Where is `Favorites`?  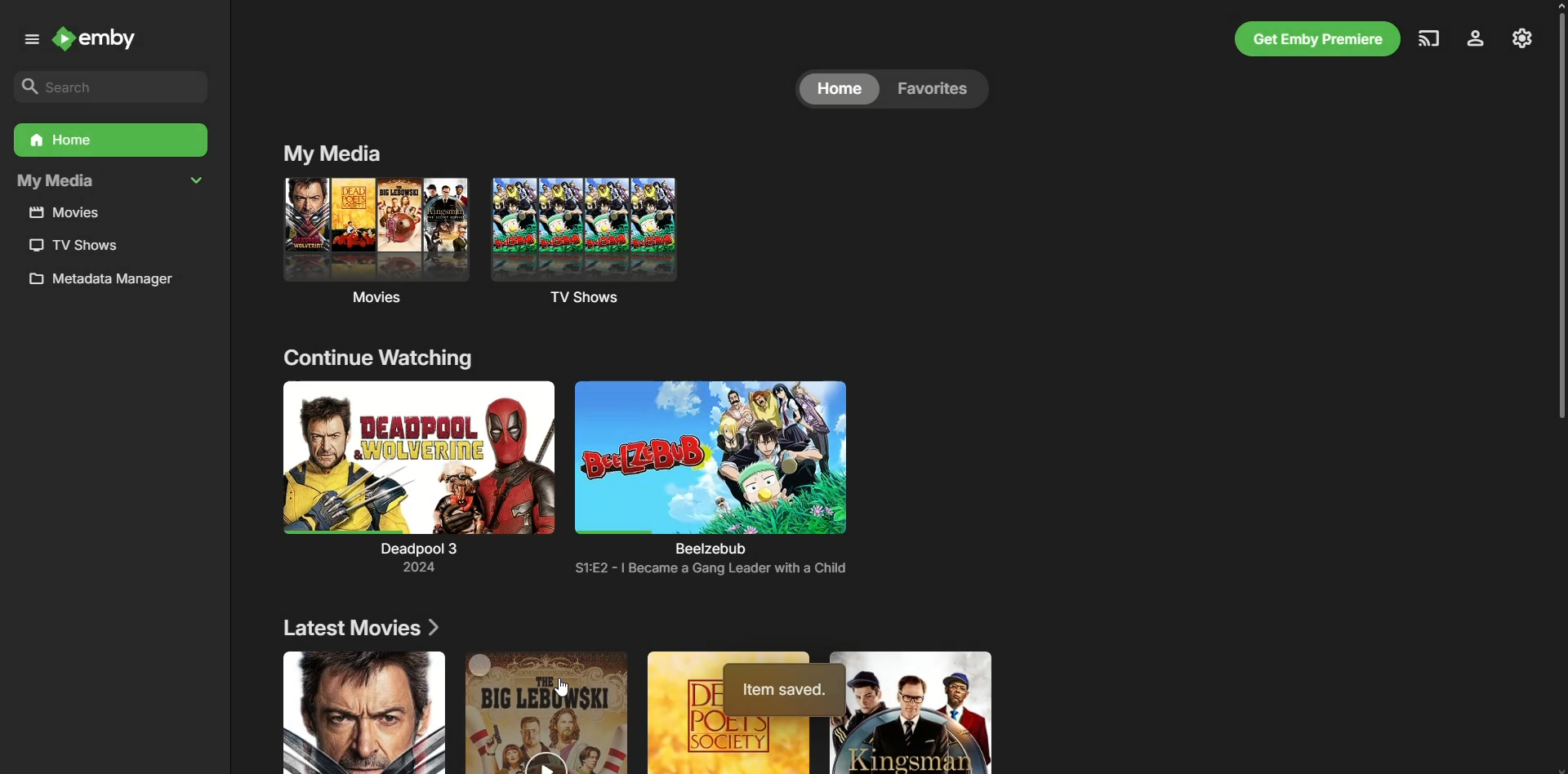 Favorites is located at coordinates (938, 89).